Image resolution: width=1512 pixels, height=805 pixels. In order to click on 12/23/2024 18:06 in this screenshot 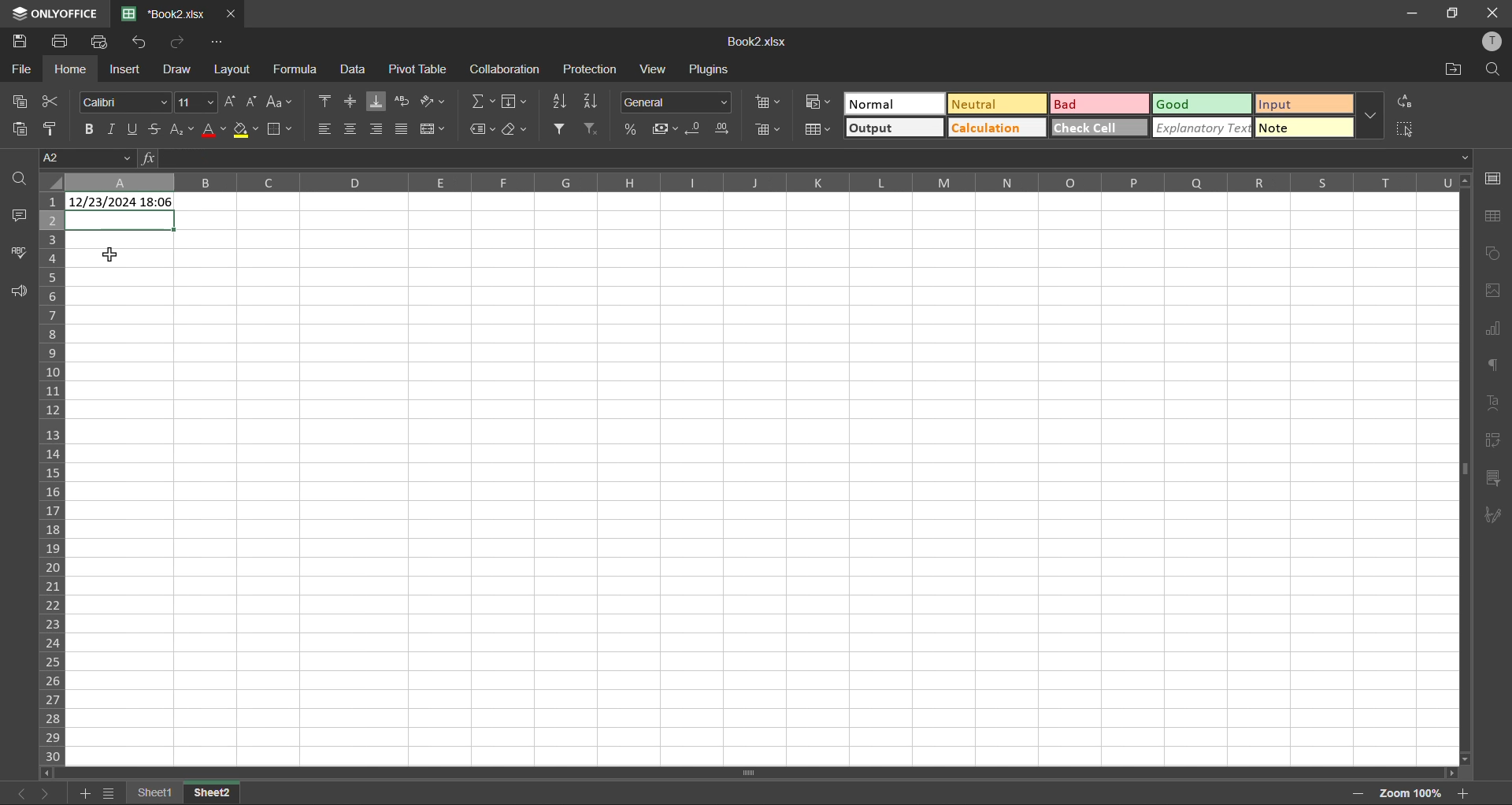, I will do `click(121, 203)`.